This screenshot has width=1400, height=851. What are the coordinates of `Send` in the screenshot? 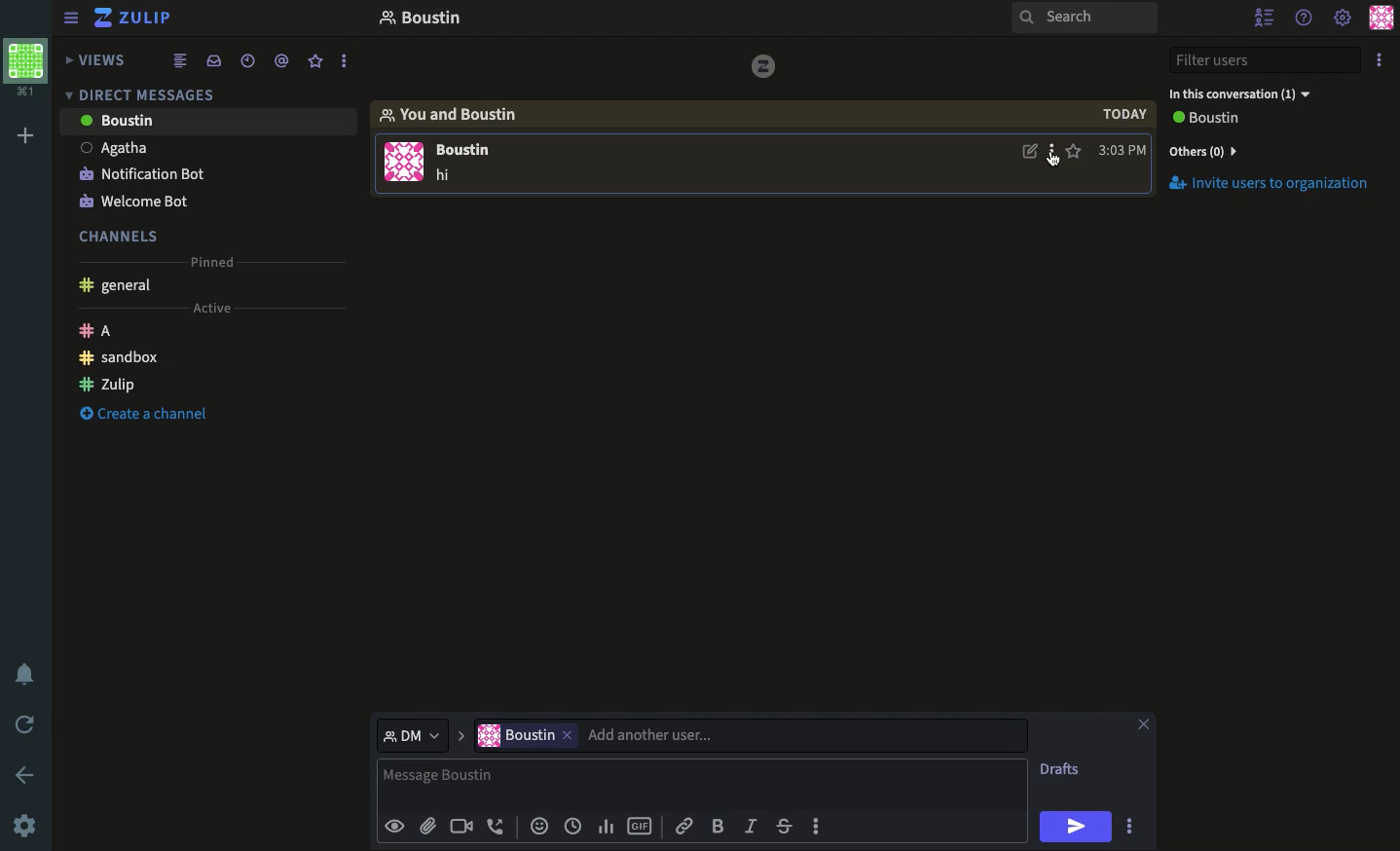 It's located at (1079, 826).